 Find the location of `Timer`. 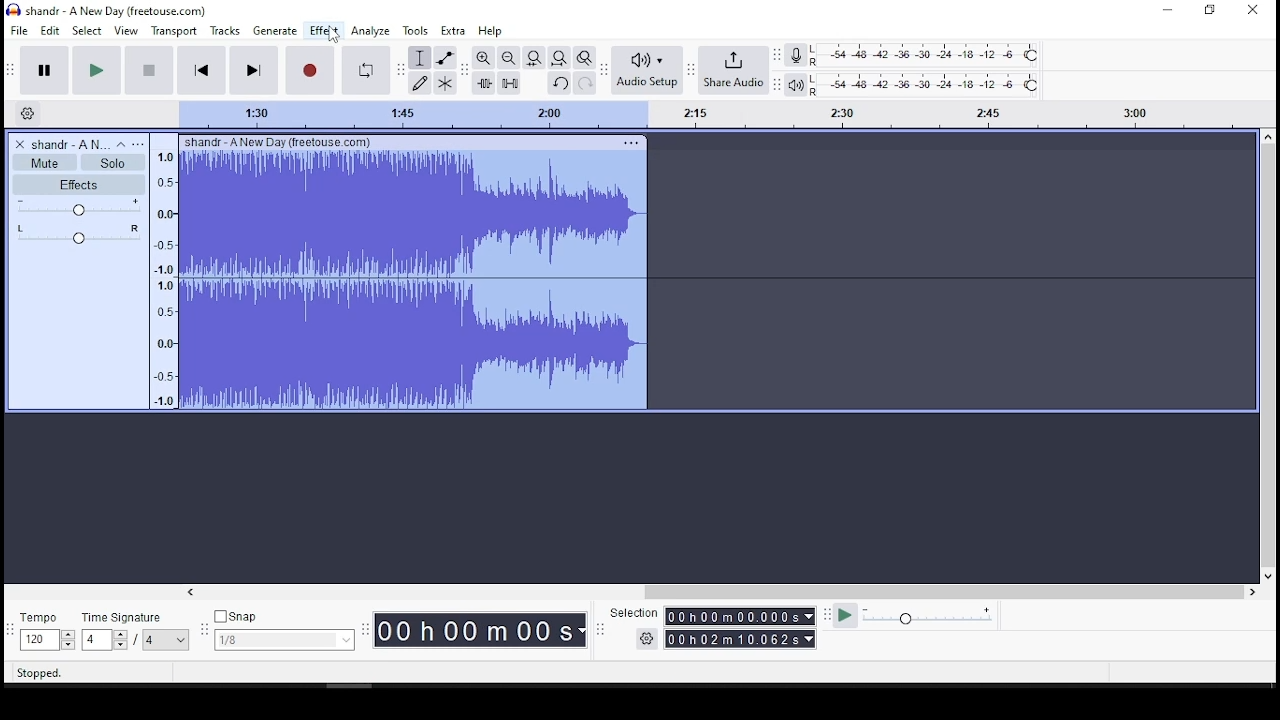

Timer is located at coordinates (480, 632).